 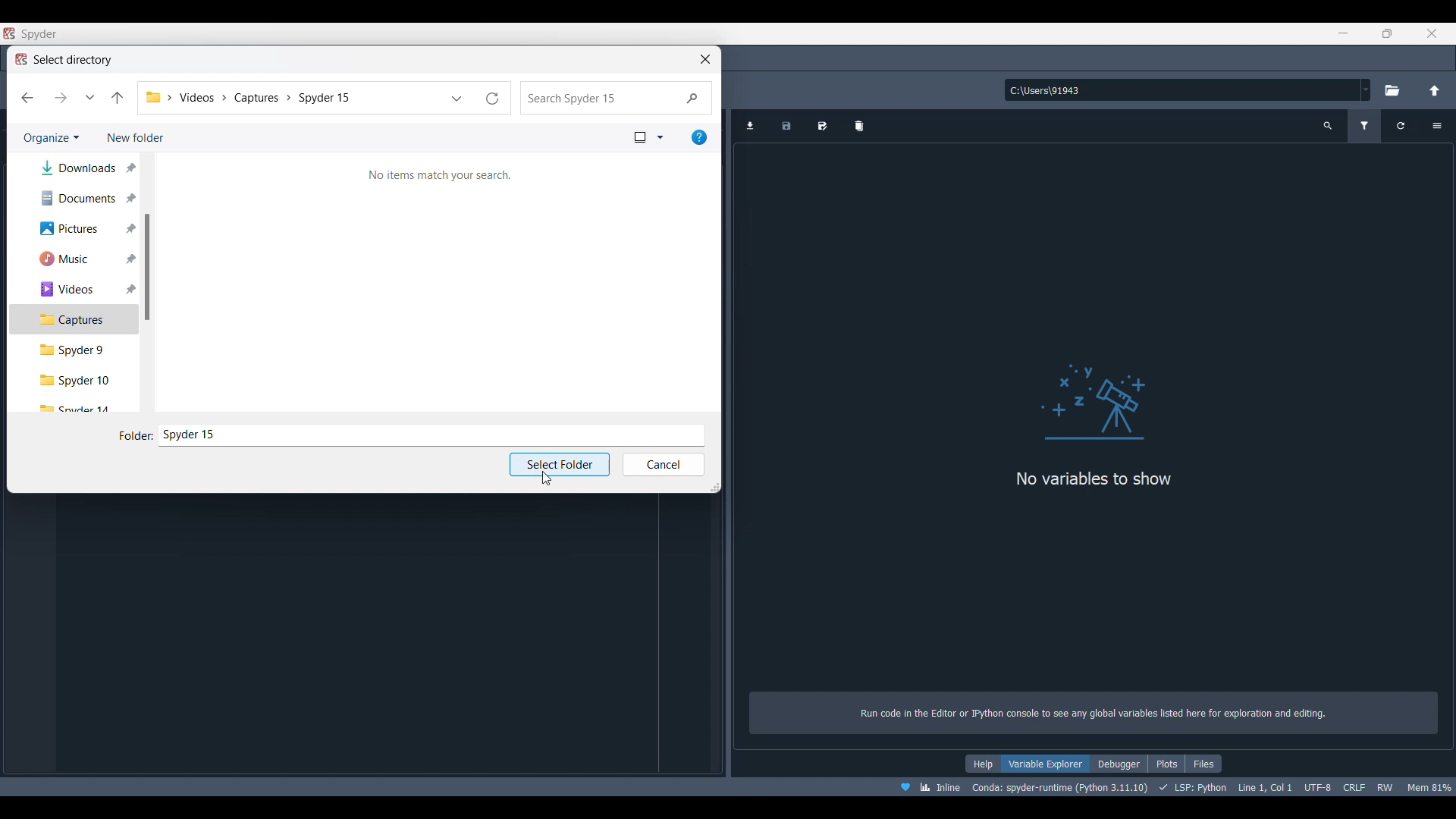 I want to click on Remove all variables, so click(x=859, y=126).